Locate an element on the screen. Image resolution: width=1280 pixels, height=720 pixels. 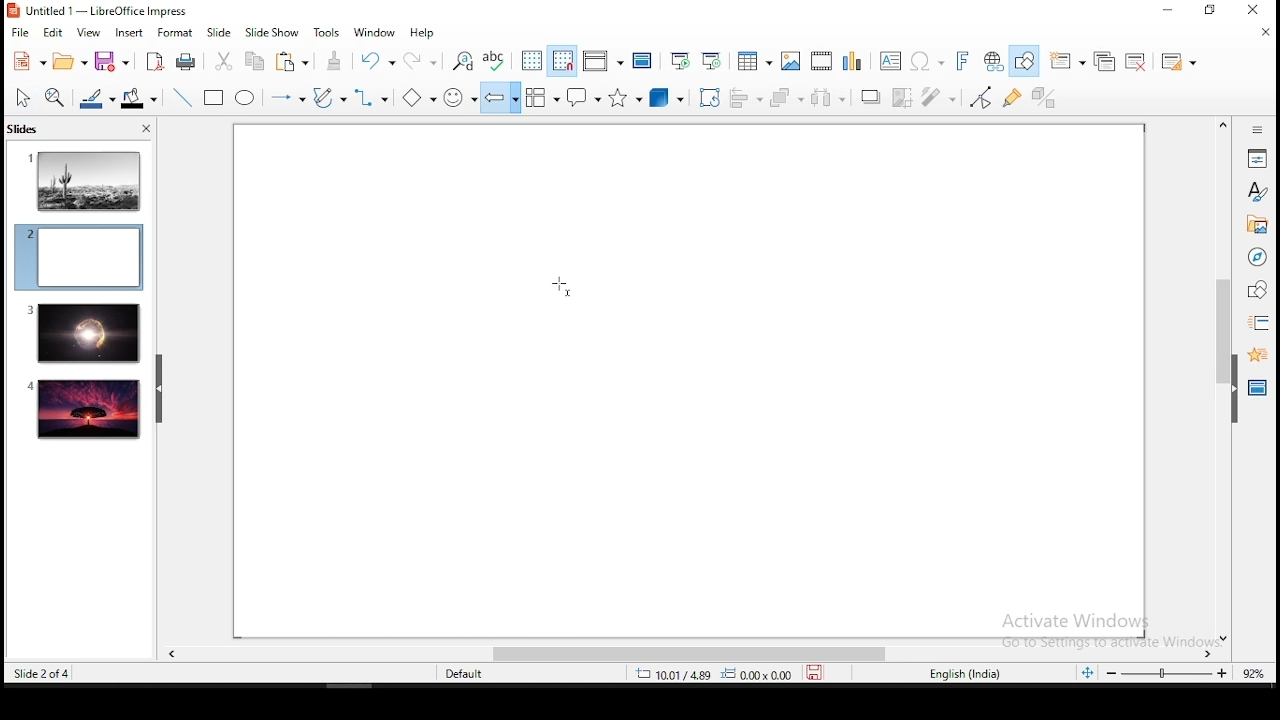
line fill is located at coordinates (95, 99).